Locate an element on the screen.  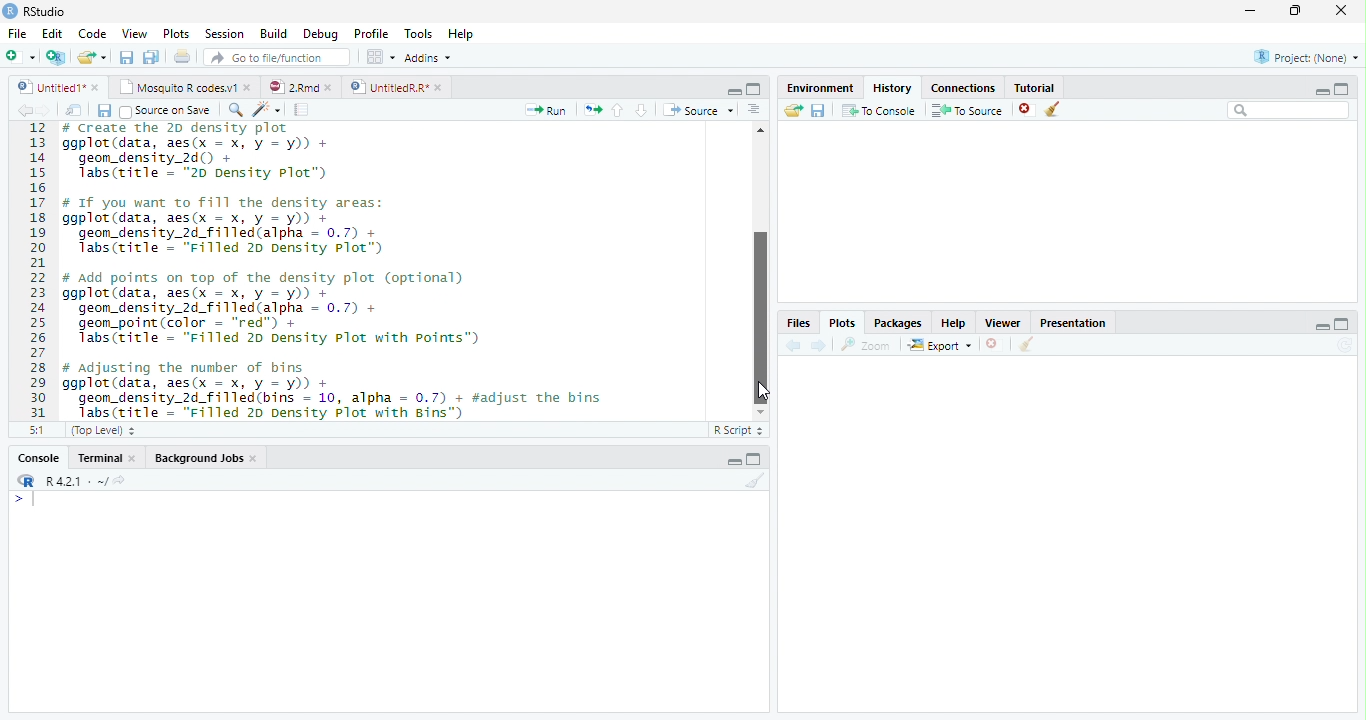
Project: (None) is located at coordinates (1305, 57).